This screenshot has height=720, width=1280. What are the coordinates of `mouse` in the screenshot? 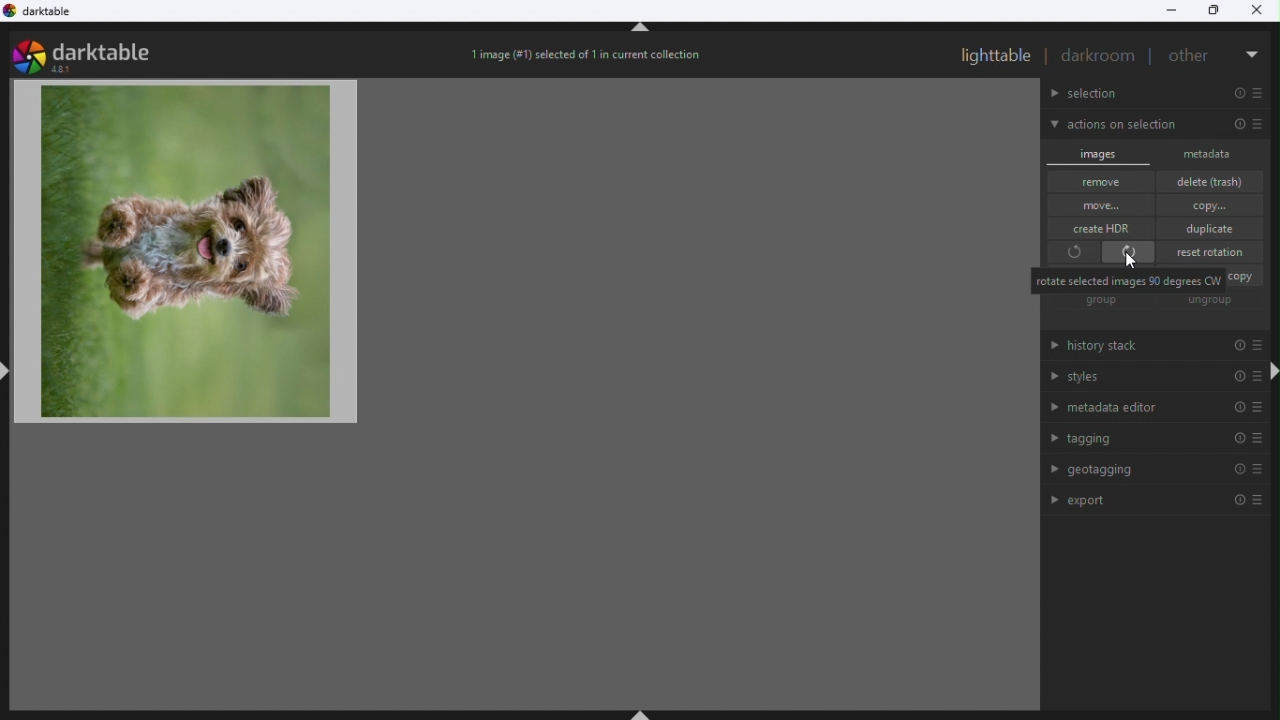 It's located at (1132, 261).